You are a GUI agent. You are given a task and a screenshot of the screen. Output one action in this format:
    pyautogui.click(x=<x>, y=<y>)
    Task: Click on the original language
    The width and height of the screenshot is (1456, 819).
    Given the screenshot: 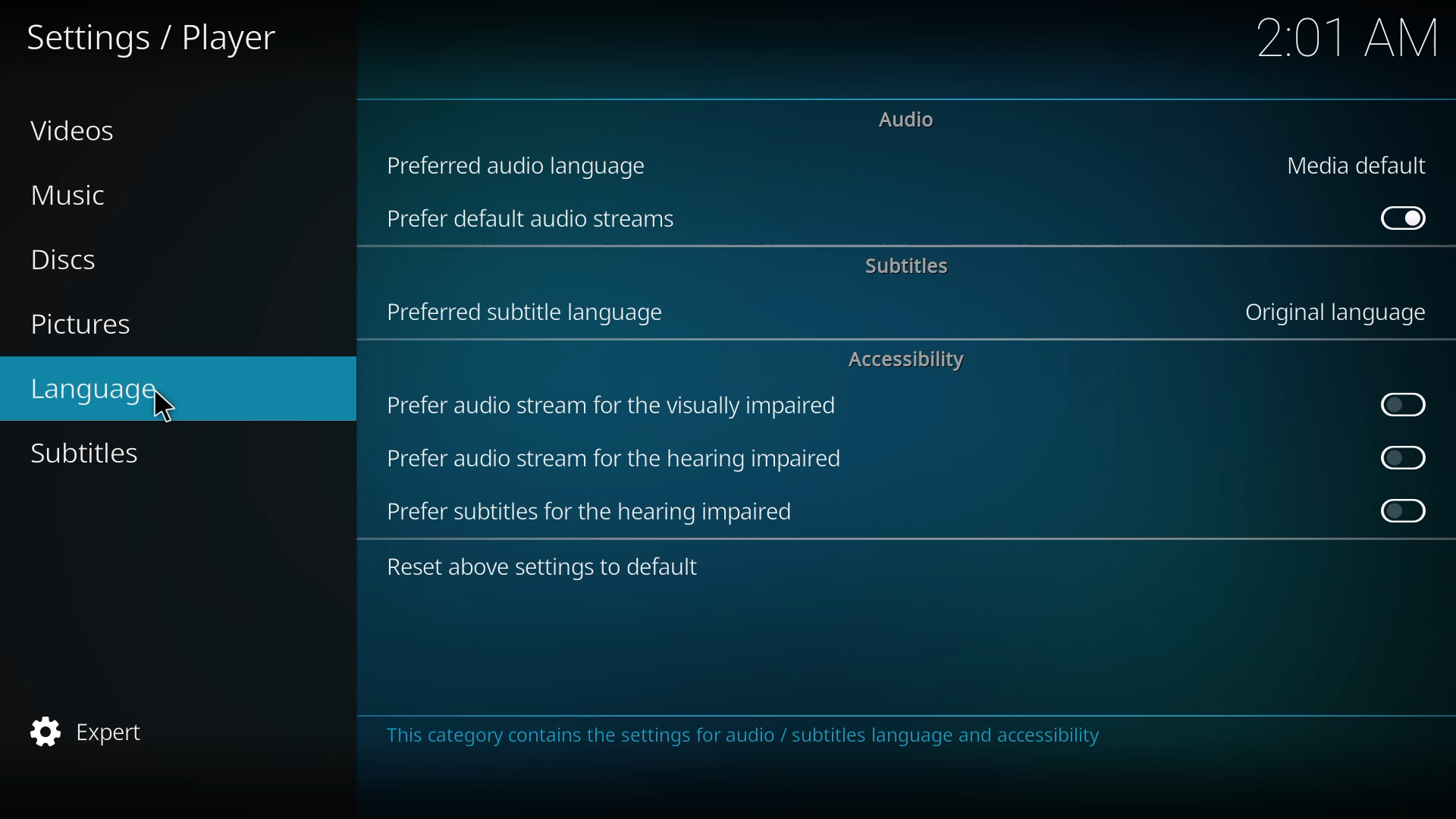 What is the action you would take?
    pyautogui.click(x=1343, y=312)
    